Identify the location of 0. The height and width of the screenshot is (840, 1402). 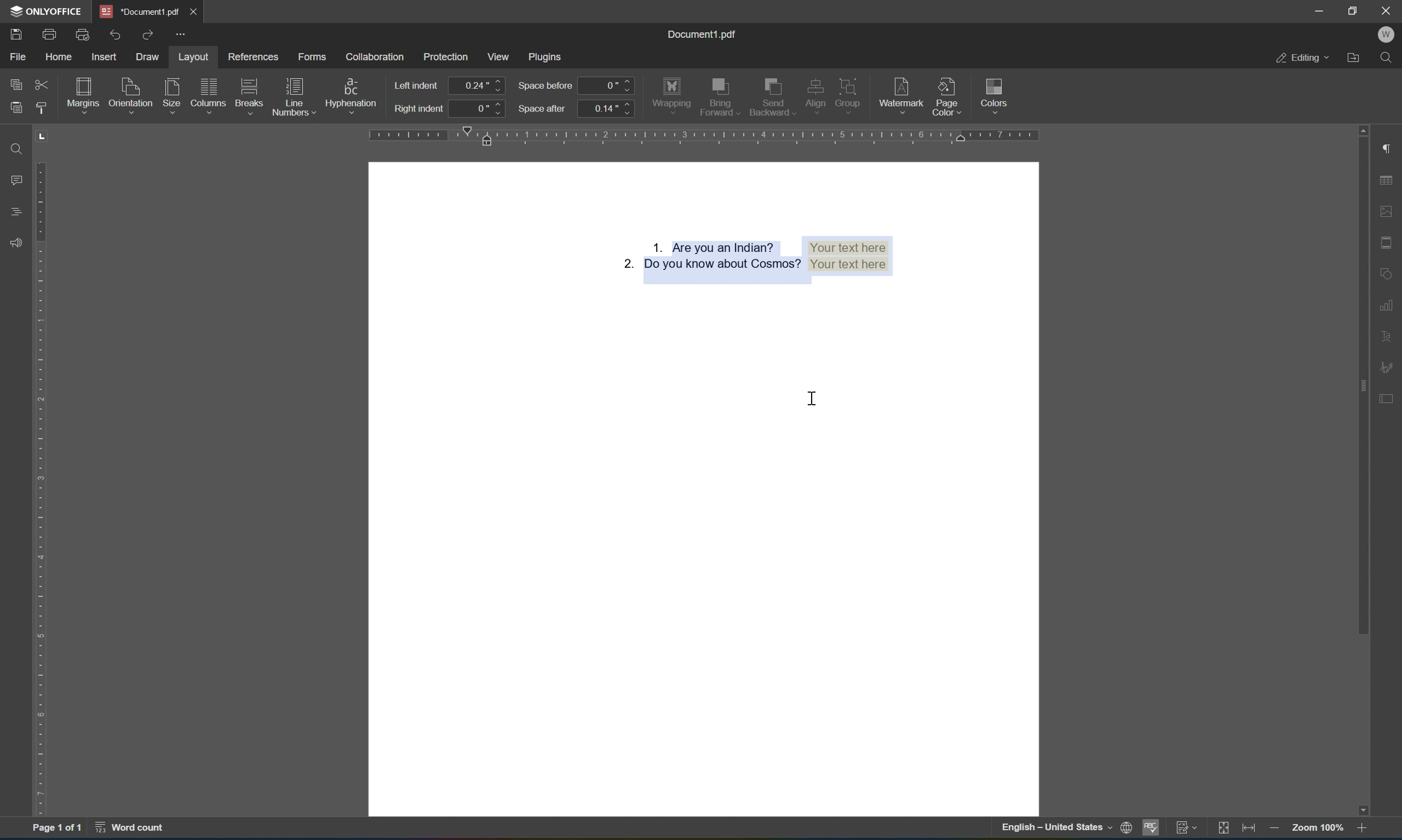
(481, 110).